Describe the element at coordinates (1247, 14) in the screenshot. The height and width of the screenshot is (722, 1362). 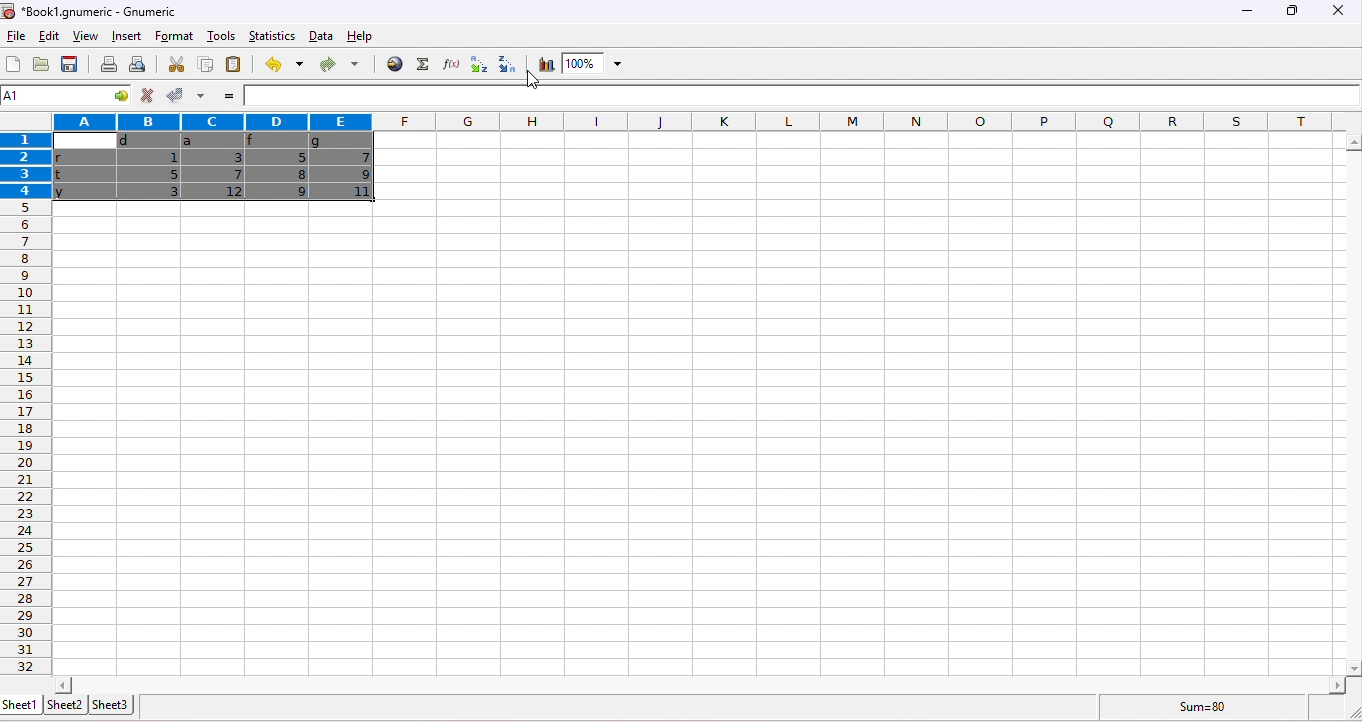
I see `minimize` at that location.